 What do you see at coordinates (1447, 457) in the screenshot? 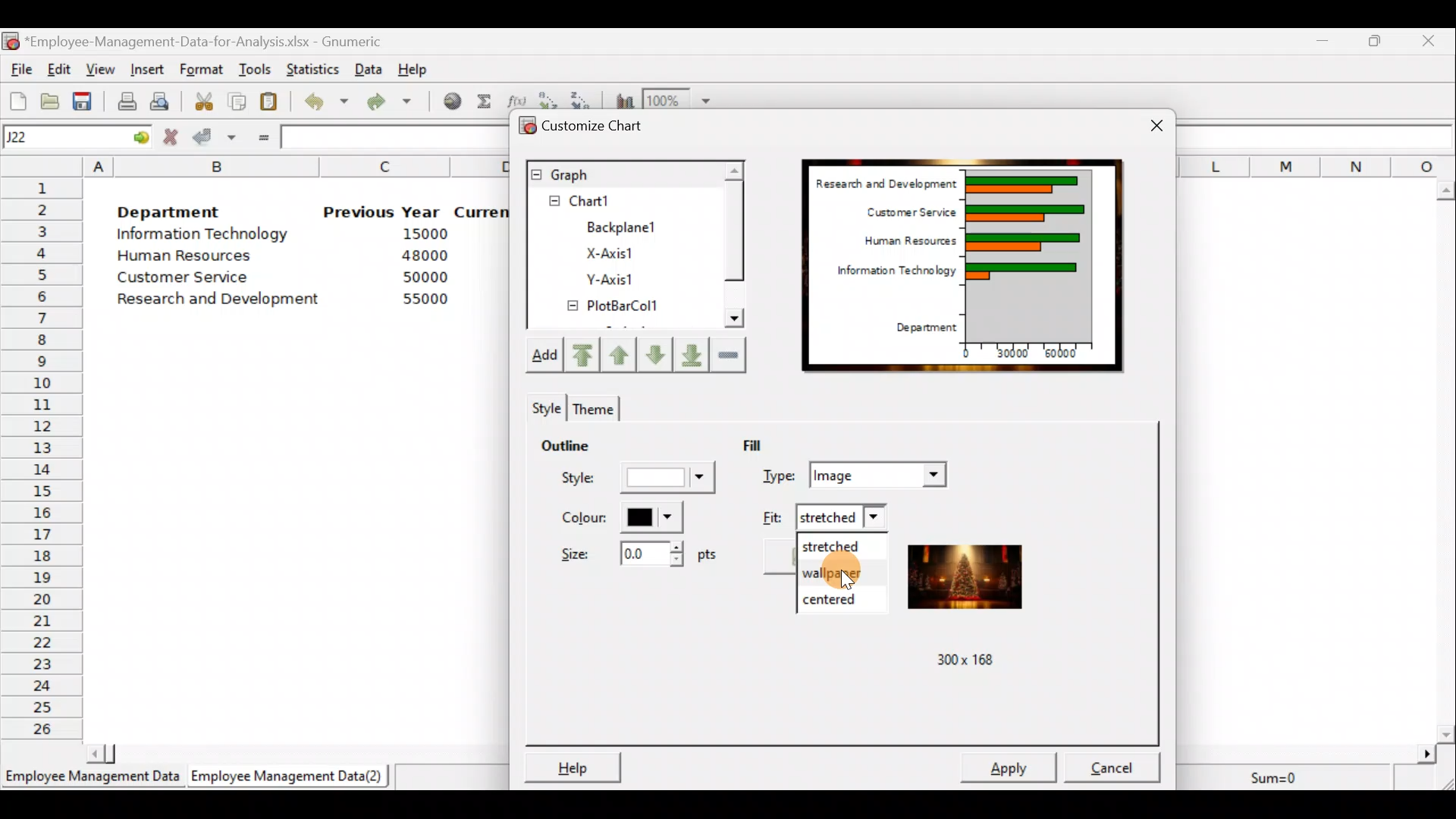
I see `Scroll bar` at bounding box center [1447, 457].